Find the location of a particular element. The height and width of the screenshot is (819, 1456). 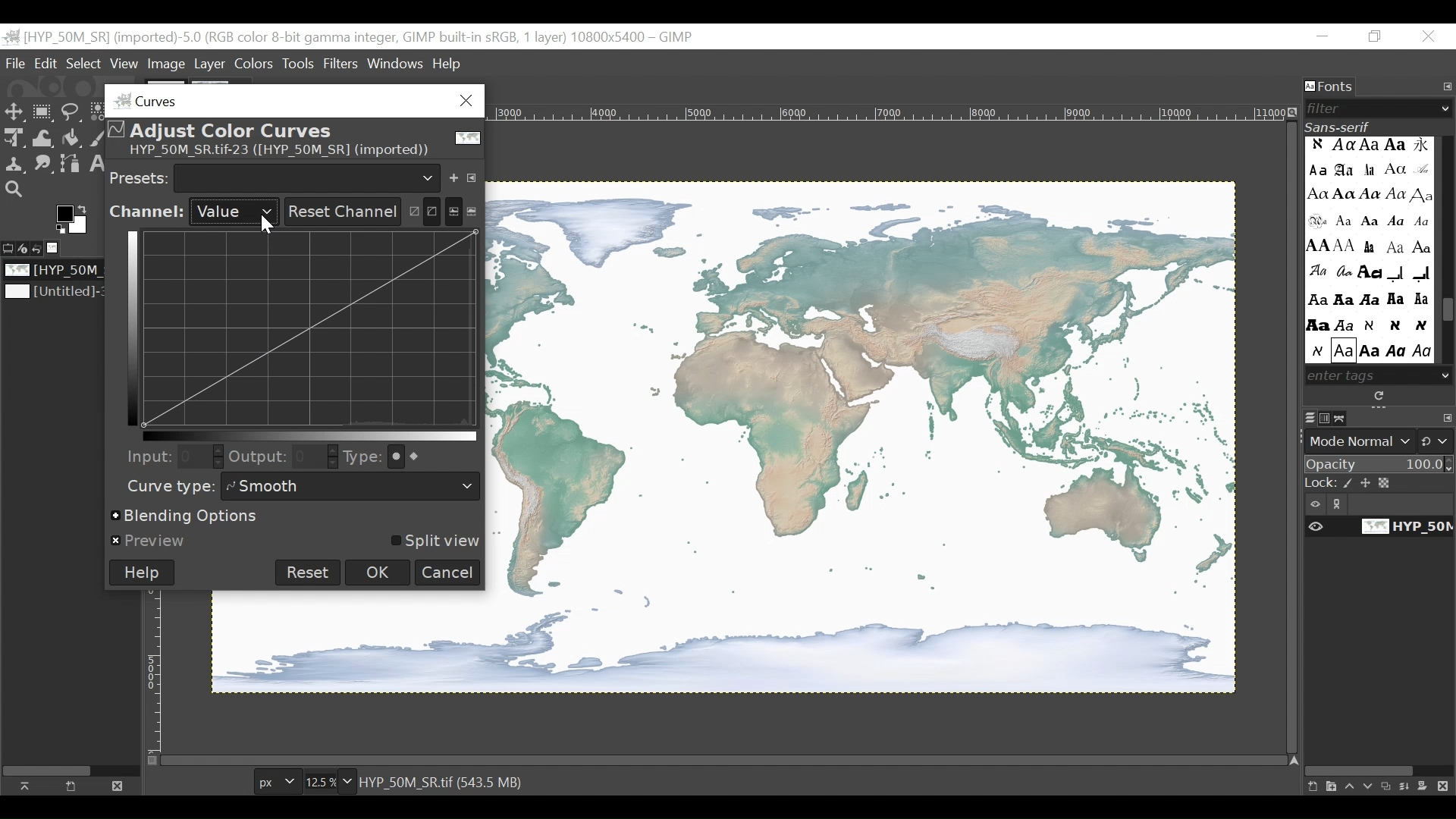

Filter is located at coordinates (1373, 108).